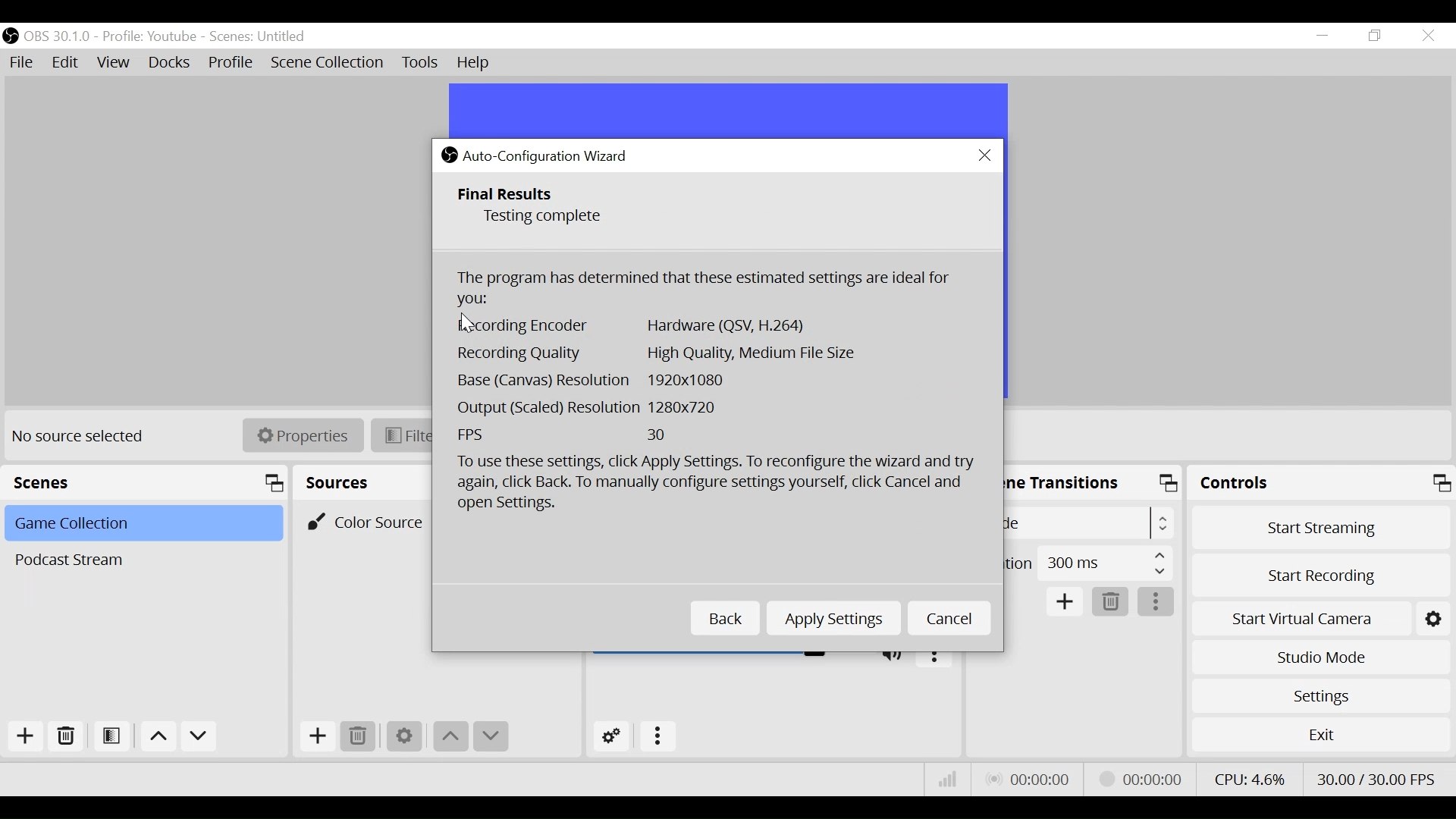  Describe the element at coordinates (171, 62) in the screenshot. I see `Docks` at that location.